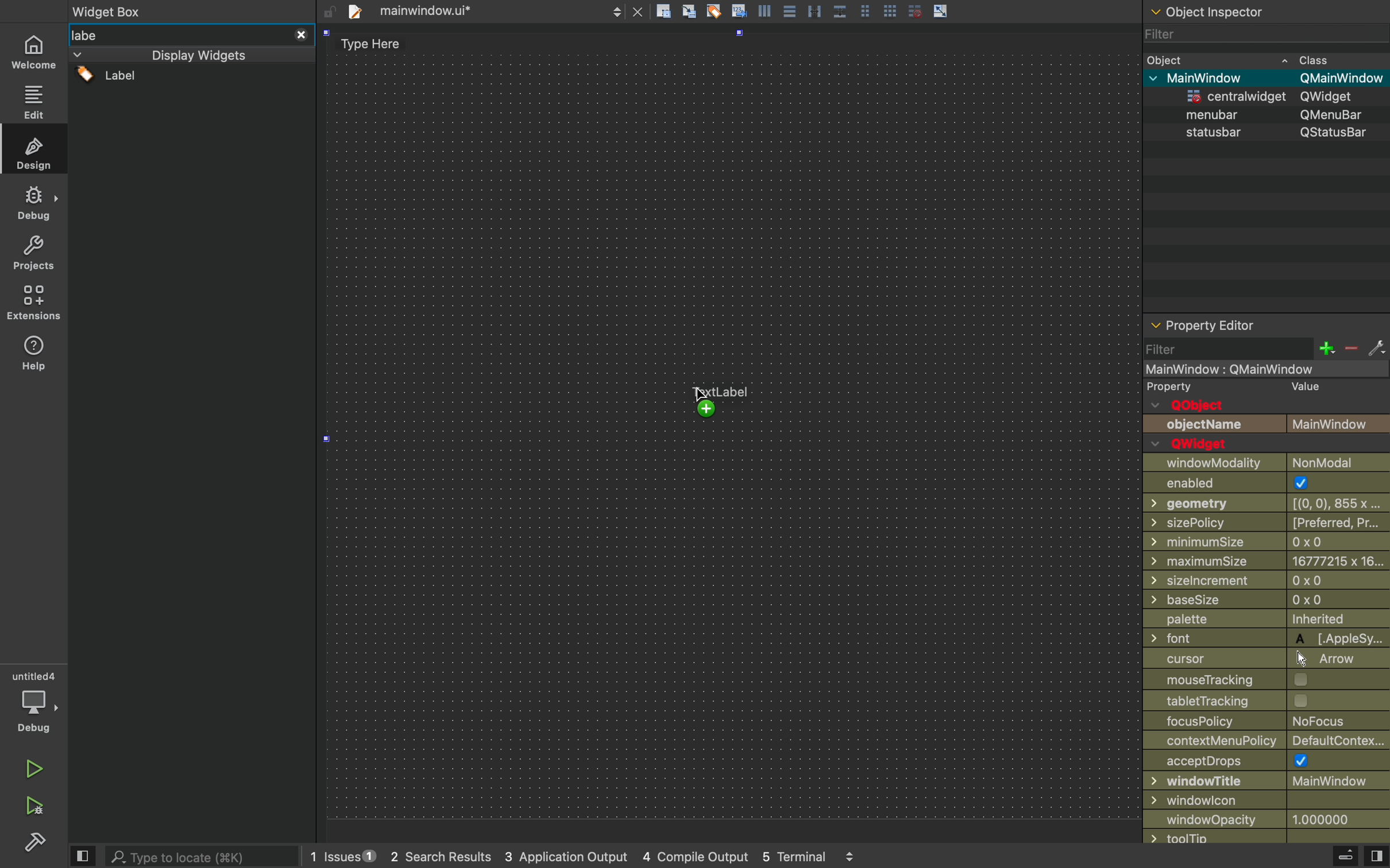 The image size is (1390, 868). I want to click on build and run, so click(33, 805).